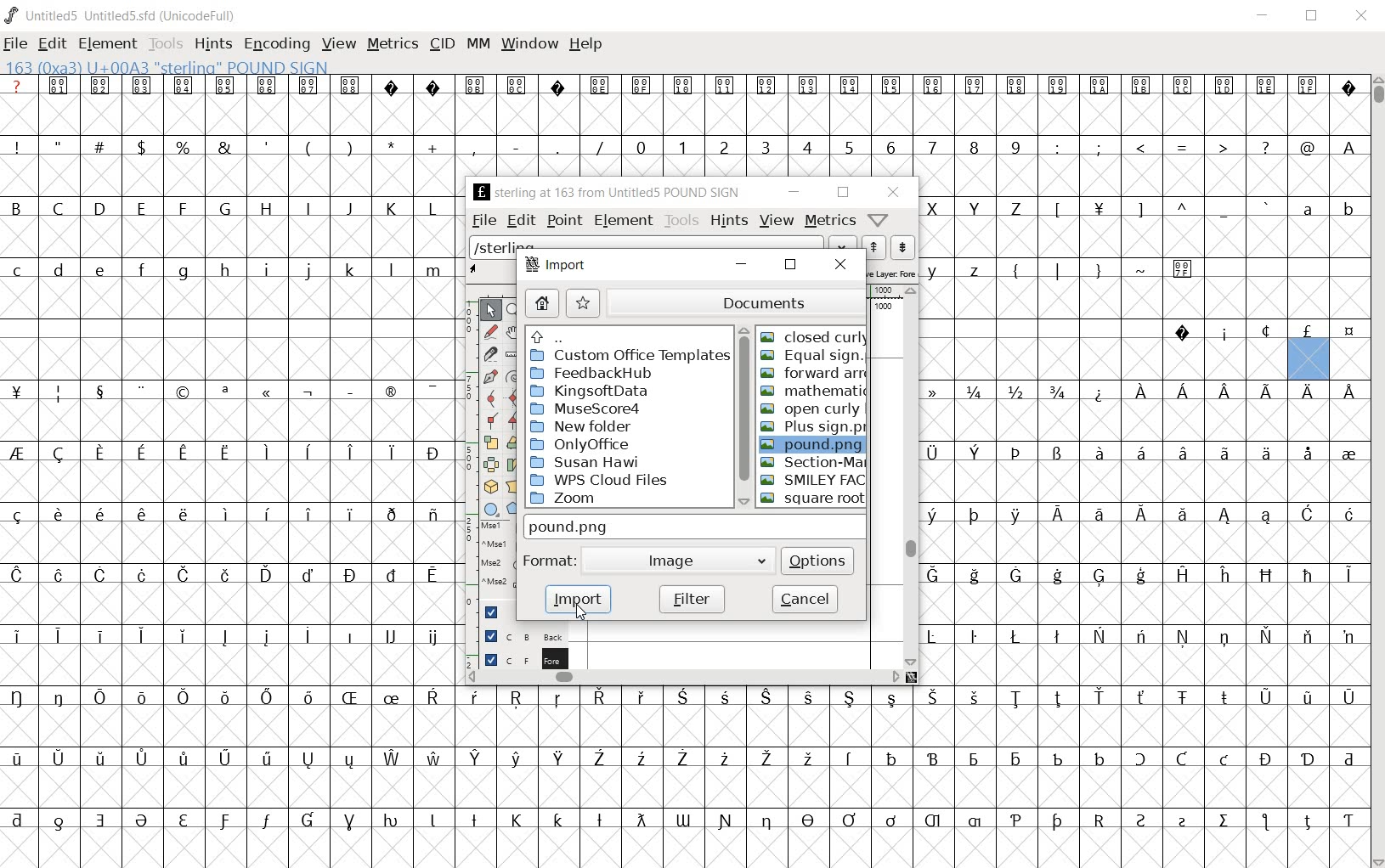 Image resolution: width=1385 pixels, height=868 pixels. I want to click on foreground layer, so click(518, 658).